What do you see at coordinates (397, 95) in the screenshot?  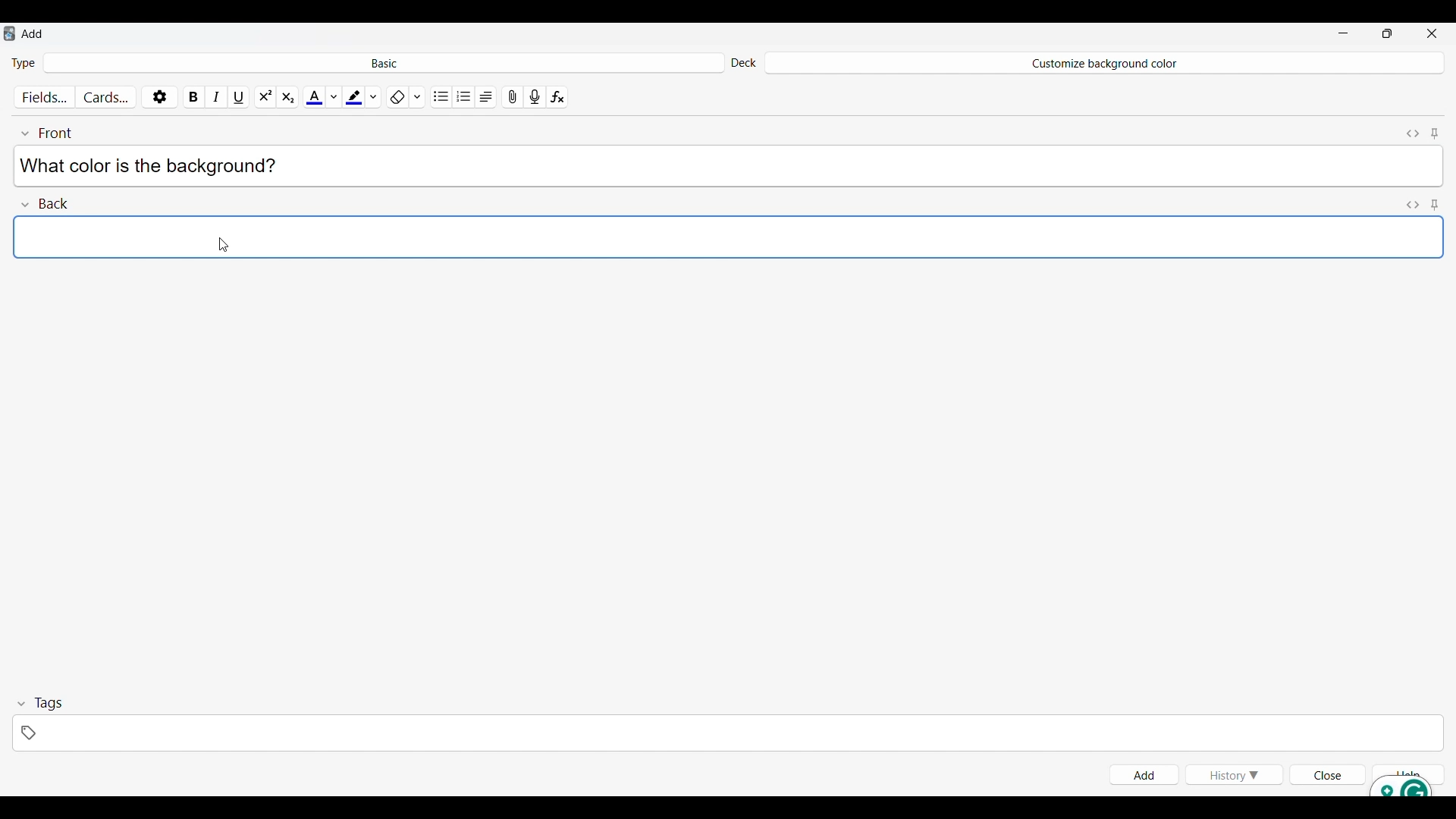 I see `Remove formatting` at bounding box center [397, 95].